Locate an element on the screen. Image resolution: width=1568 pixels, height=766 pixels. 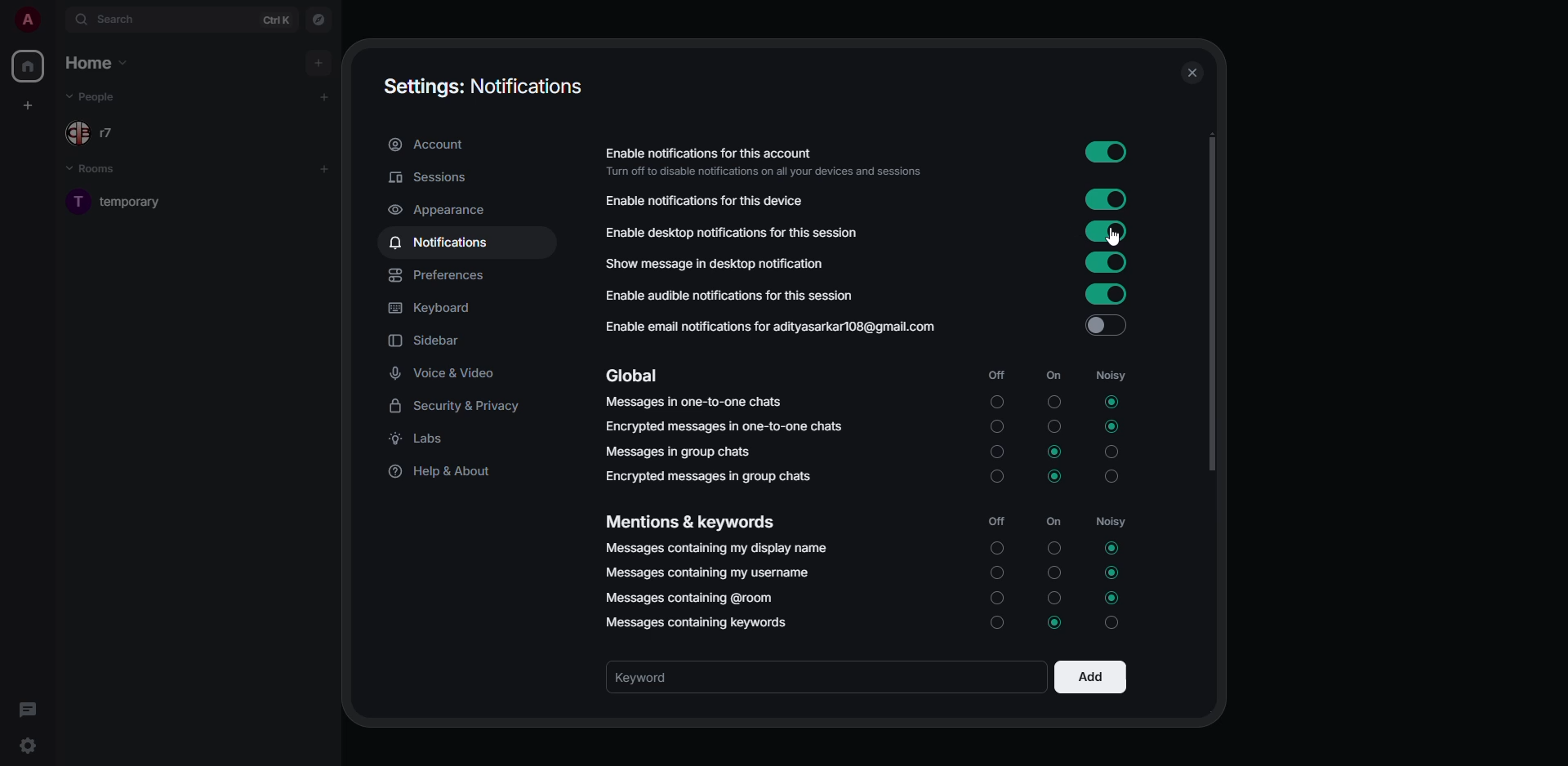
noisy is located at coordinates (1113, 522).